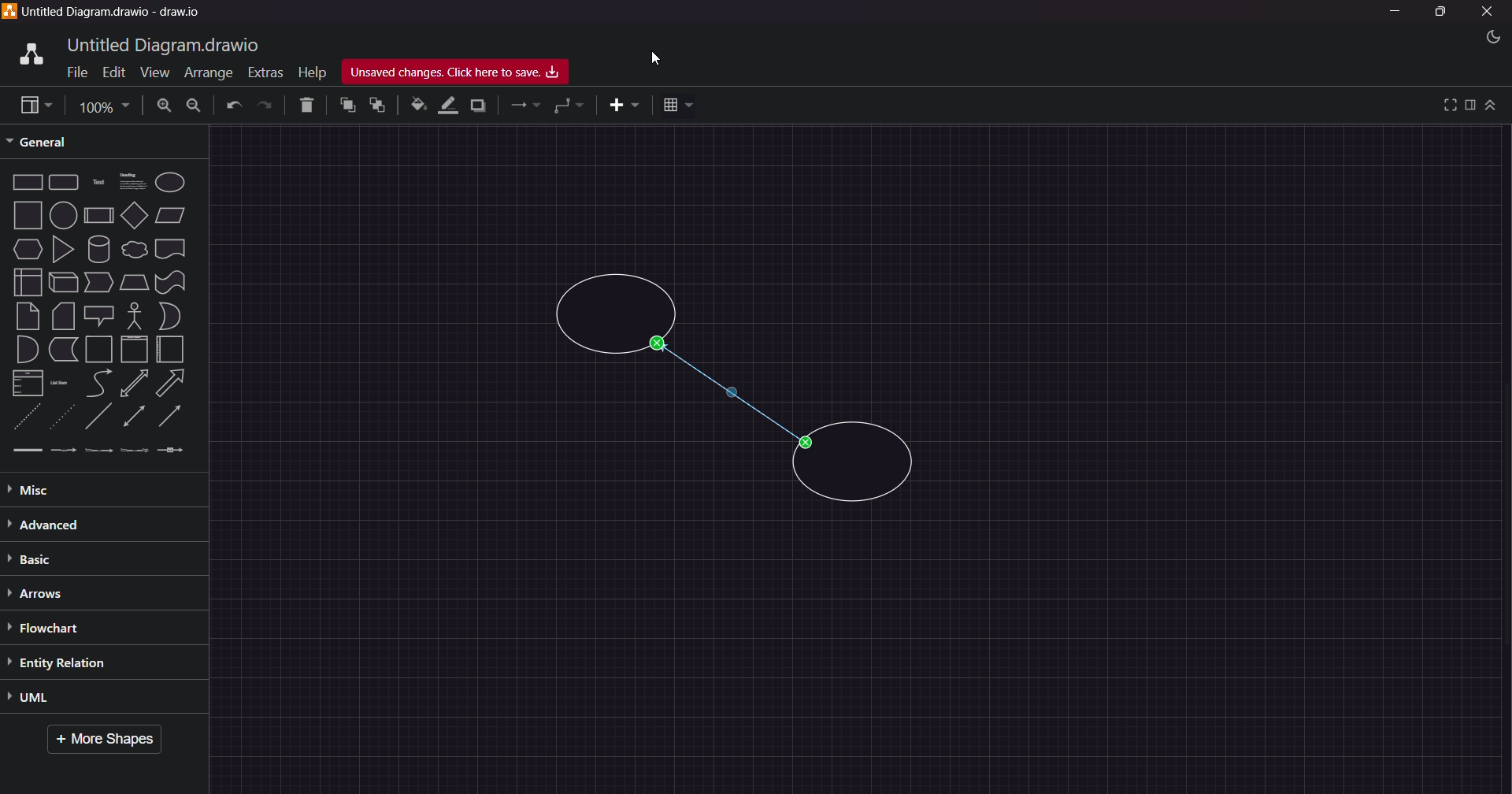 Image resolution: width=1512 pixels, height=794 pixels. I want to click on Entity Relation, so click(78, 662).